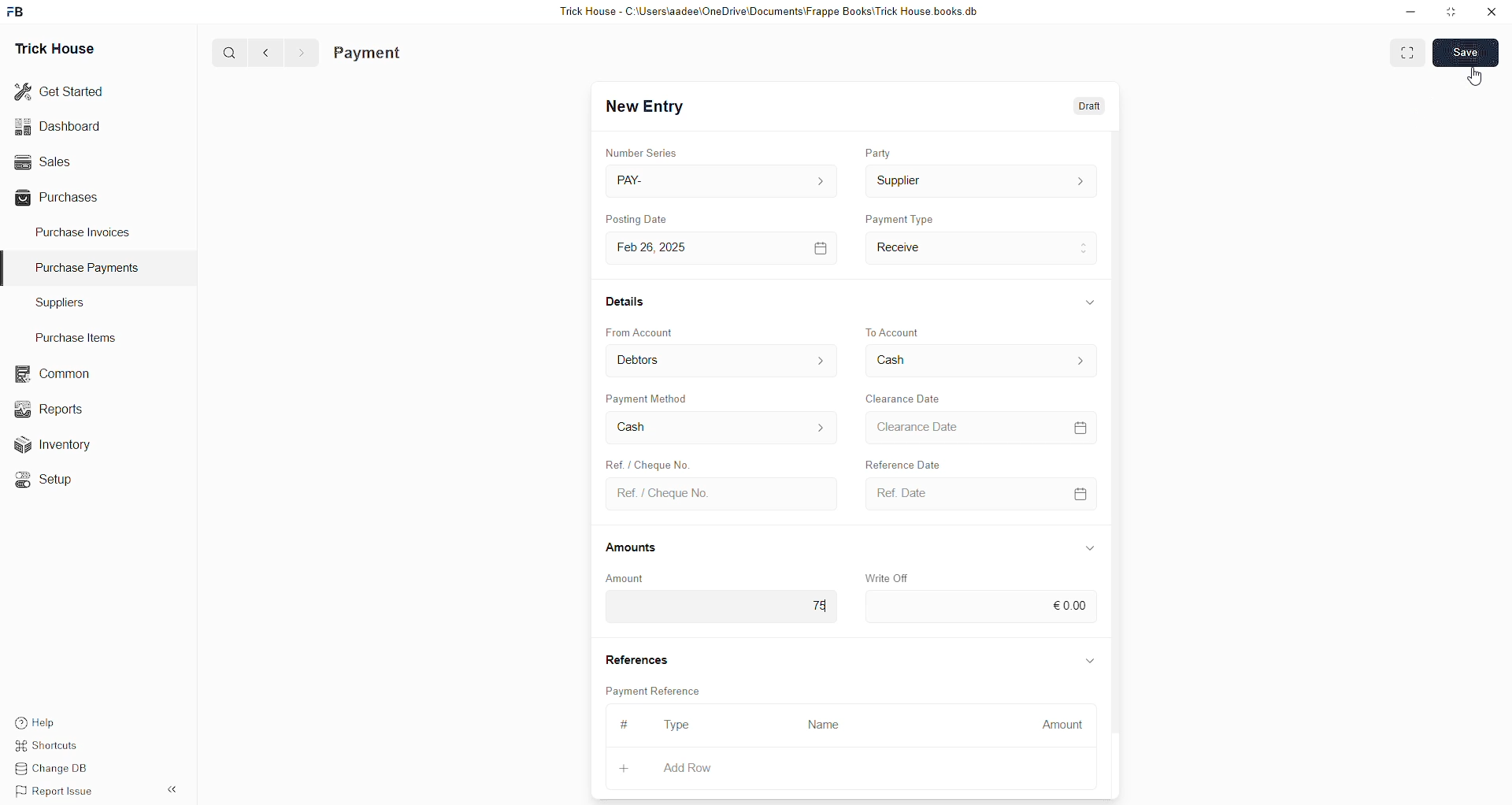 Image resolution: width=1512 pixels, height=805 pixels. What do you see at coordinates (1063, 725) in the screenshot?
I see `Amount` at bounding box center [1063, 725].